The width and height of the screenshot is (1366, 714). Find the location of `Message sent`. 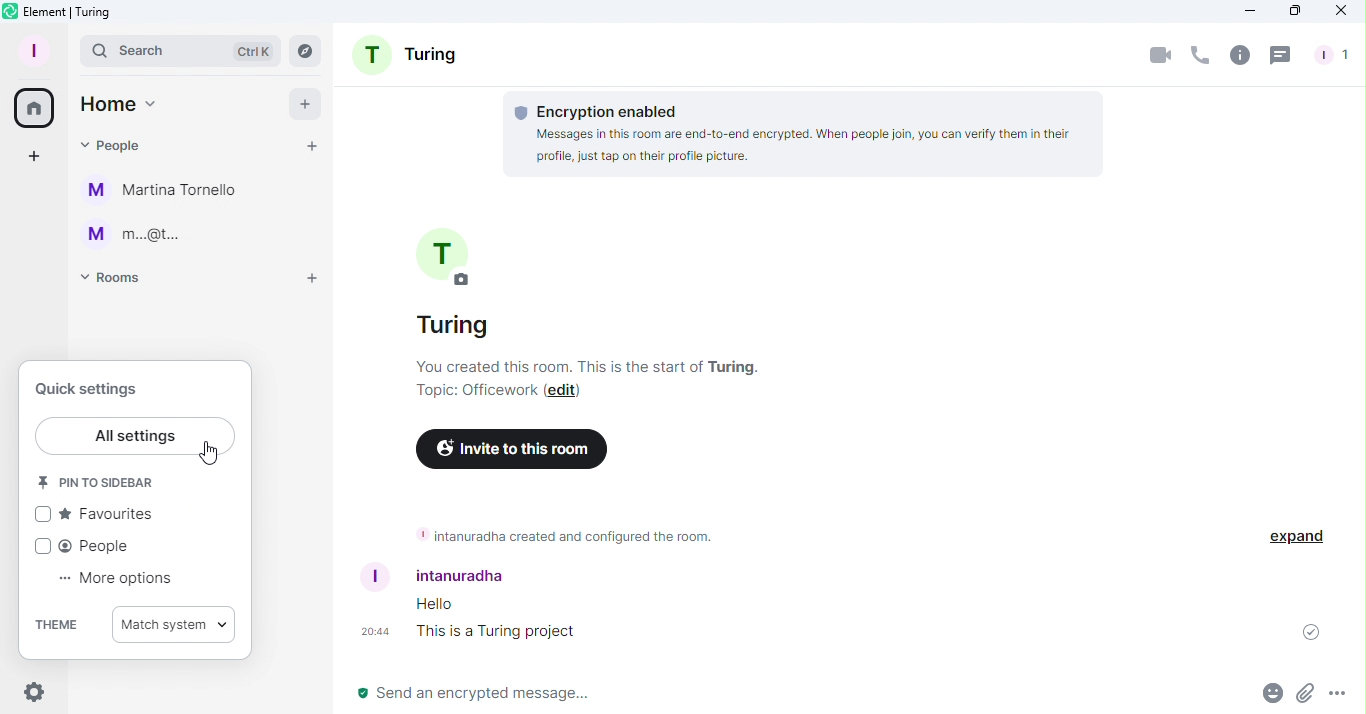

Message sent is located at coordinates (1312, 636).